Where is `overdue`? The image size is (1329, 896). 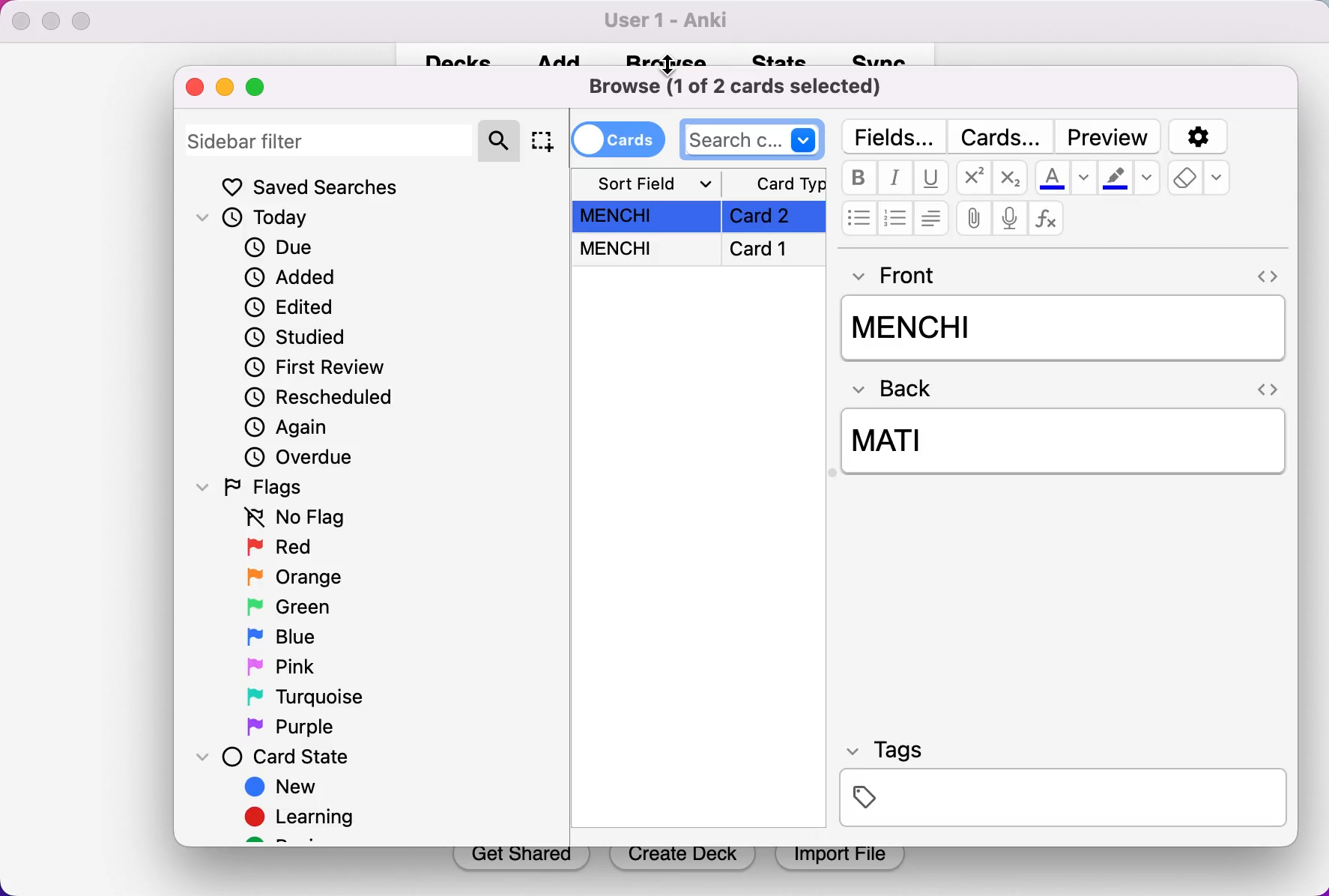 overdue is located at coordinates (310, 458).